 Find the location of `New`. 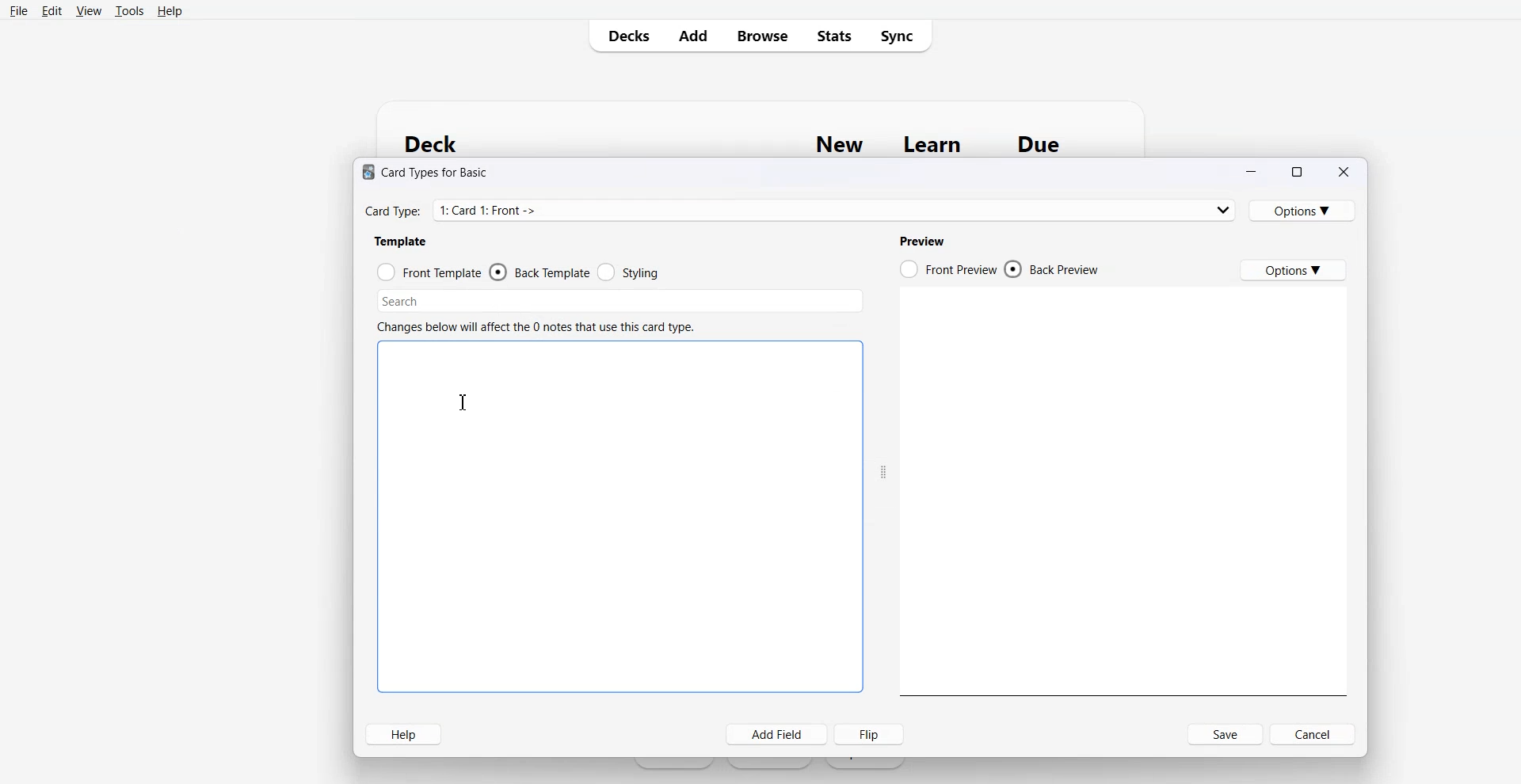

New is located at coordinates (840, 144).